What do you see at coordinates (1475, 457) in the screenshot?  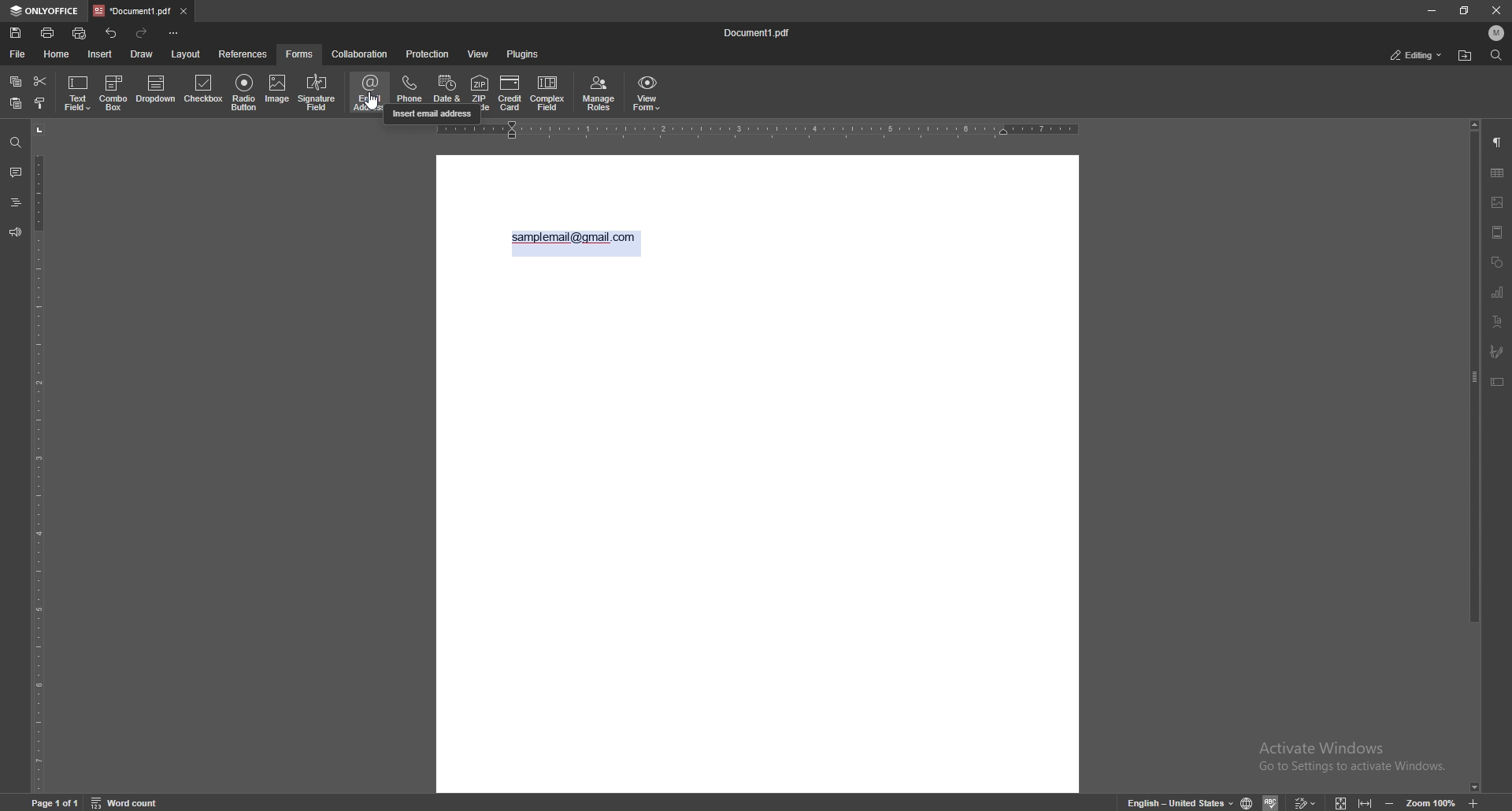 I see `scroll bar` at bounding box center [1475, 457].